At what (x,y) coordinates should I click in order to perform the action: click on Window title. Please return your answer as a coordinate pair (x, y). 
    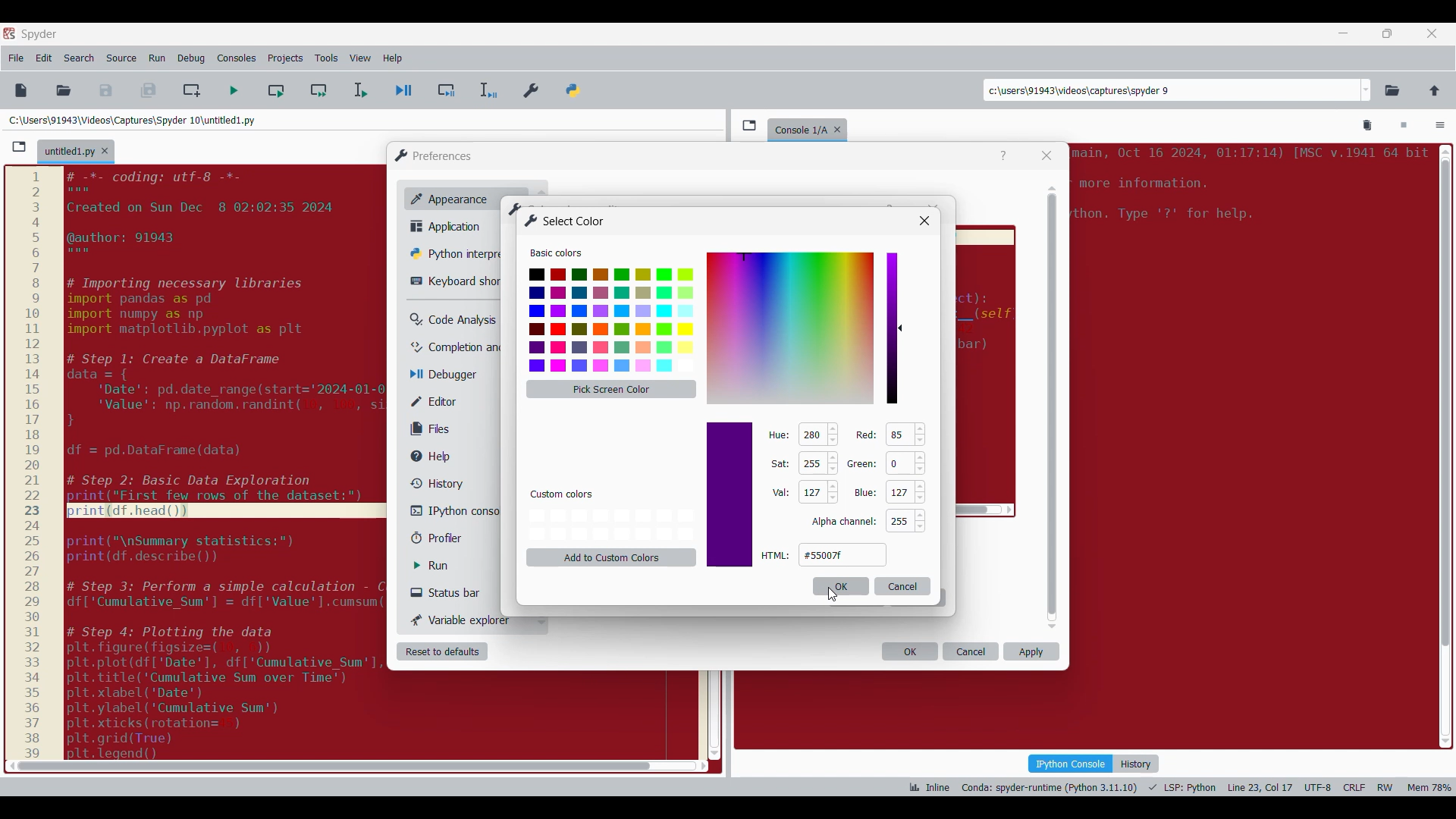
    Looking at the image, I should click on (565, 221).